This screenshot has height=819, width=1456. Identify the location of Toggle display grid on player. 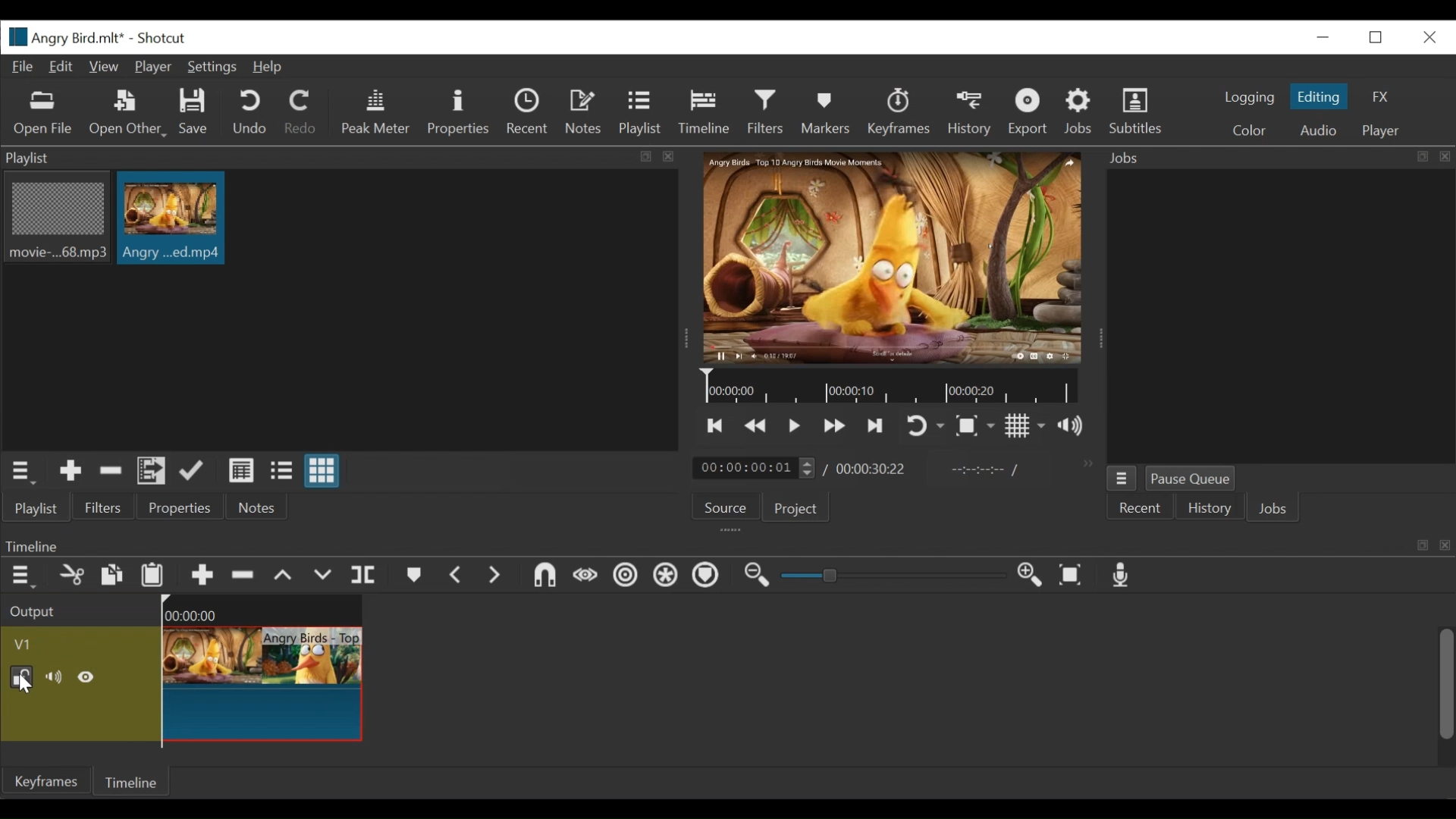
(1027, 427).